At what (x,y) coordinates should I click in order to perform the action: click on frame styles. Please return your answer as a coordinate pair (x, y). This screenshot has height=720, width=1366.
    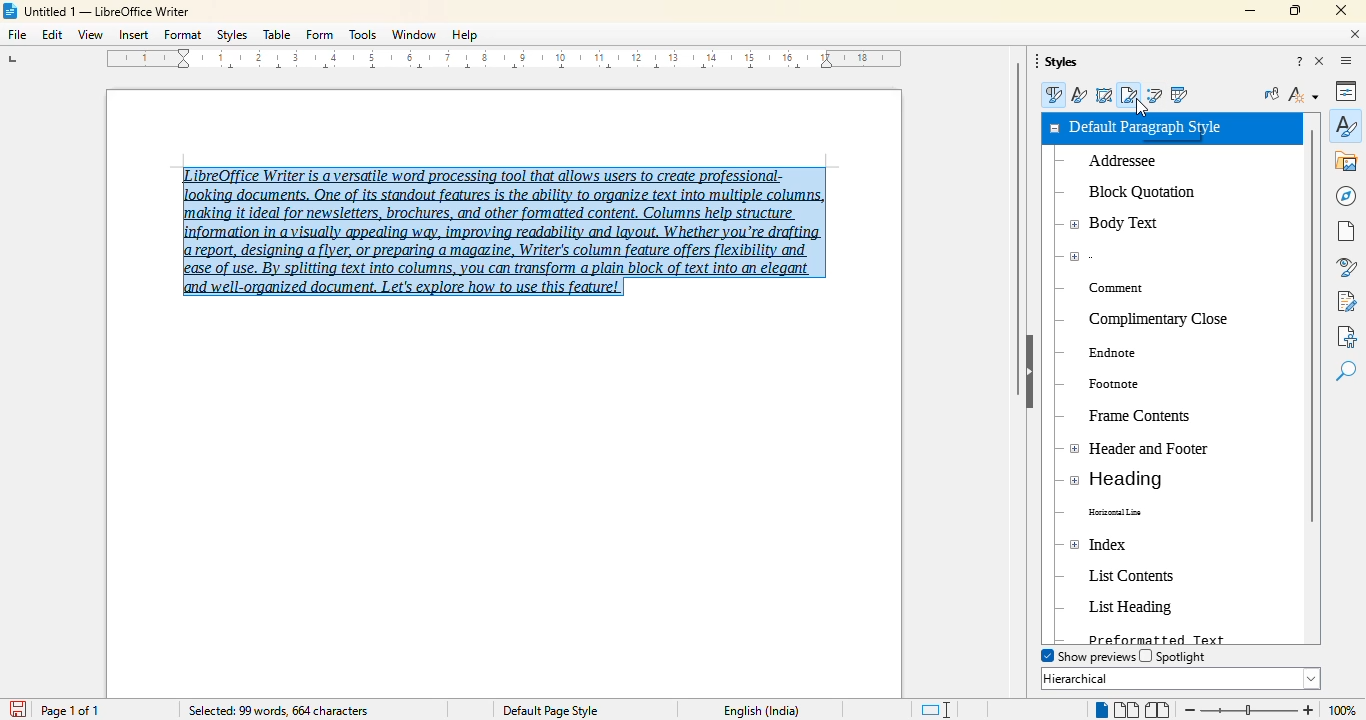
    Looking at the image, I should click on (1104, 95).